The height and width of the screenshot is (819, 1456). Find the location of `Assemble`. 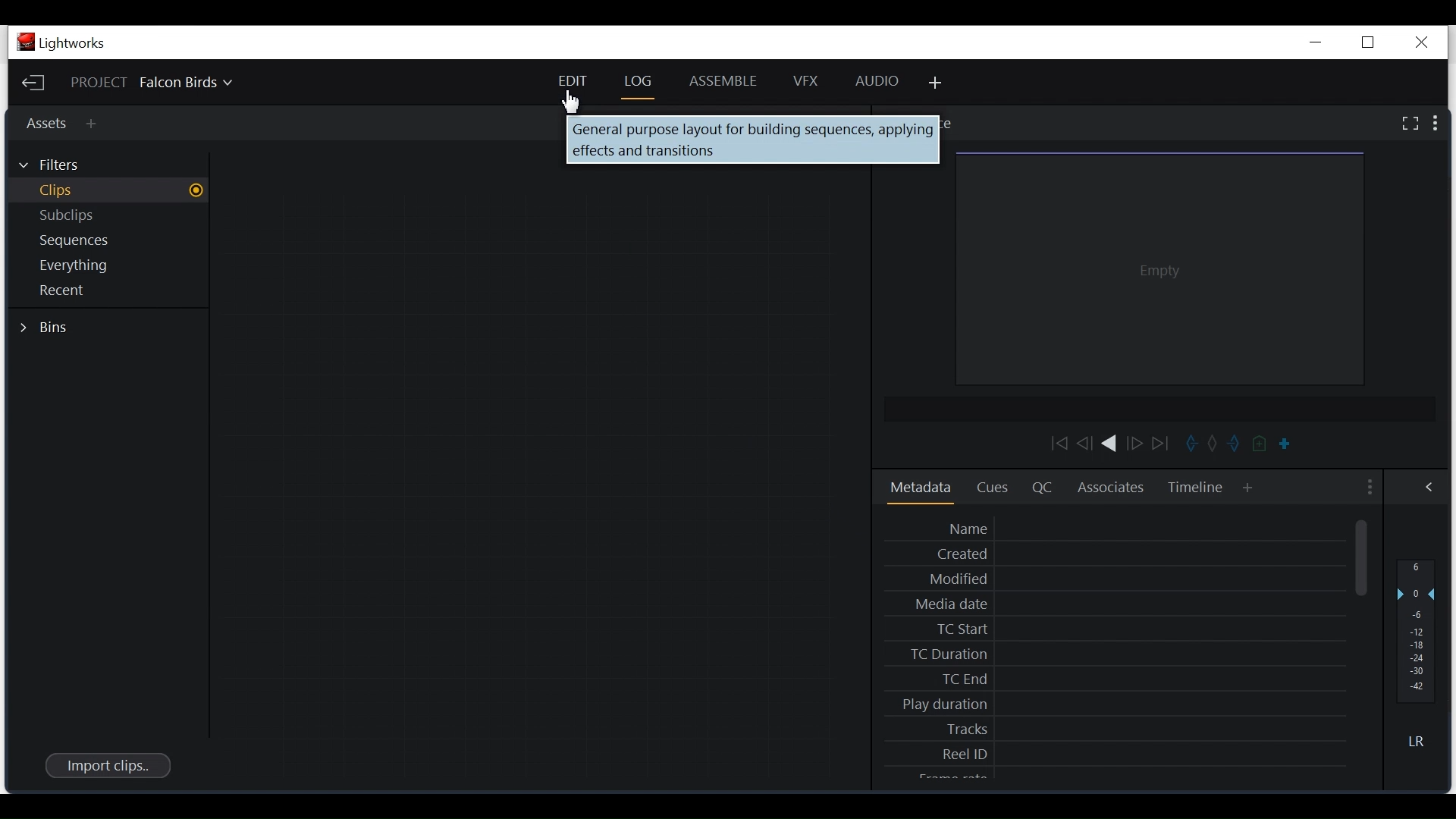

Assemble is located at coordinates (725, 80).